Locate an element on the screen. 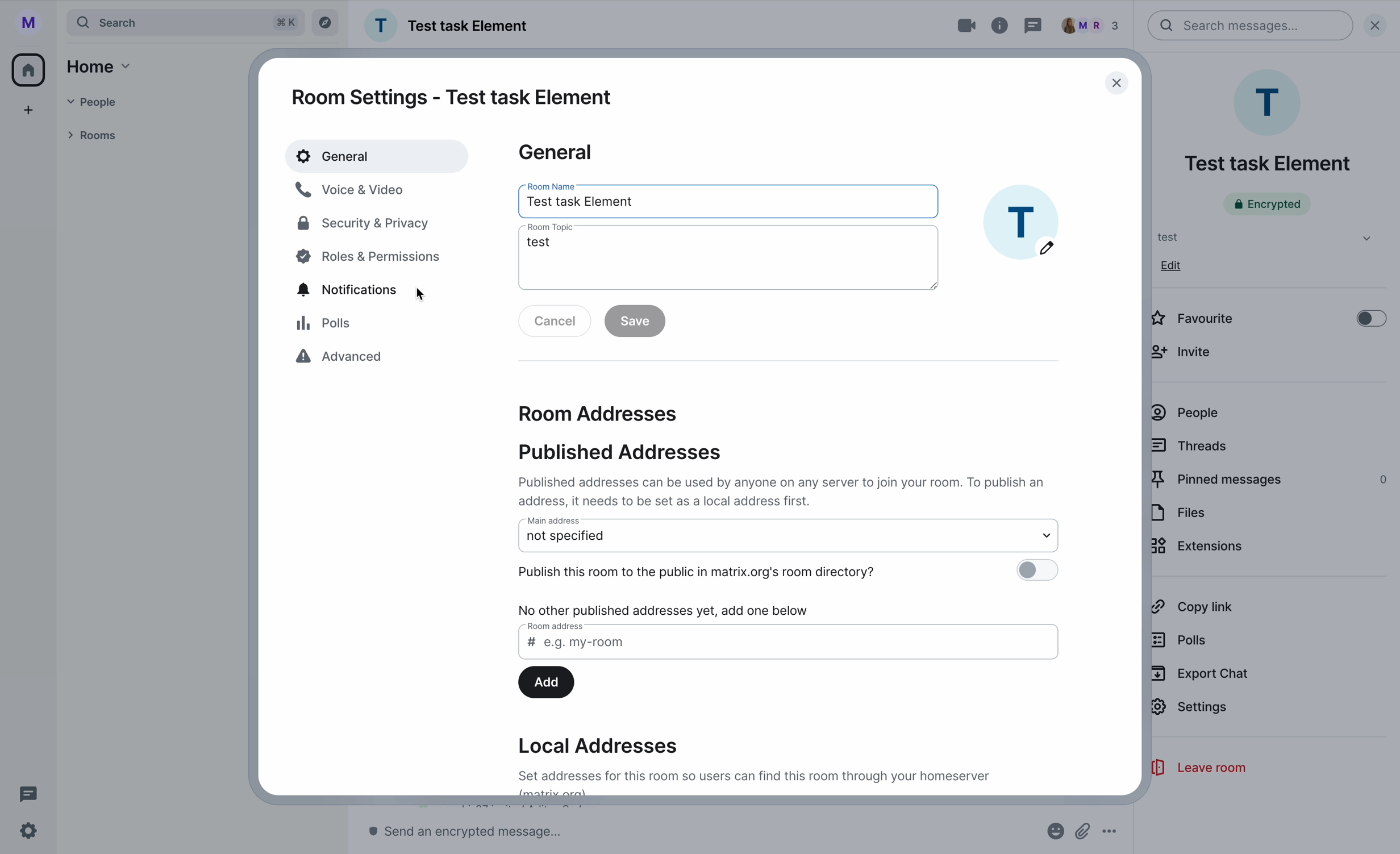 Image resolution: width=1400 pixels, height=854 pixels. extensions is located at coordinates (1199, 548).